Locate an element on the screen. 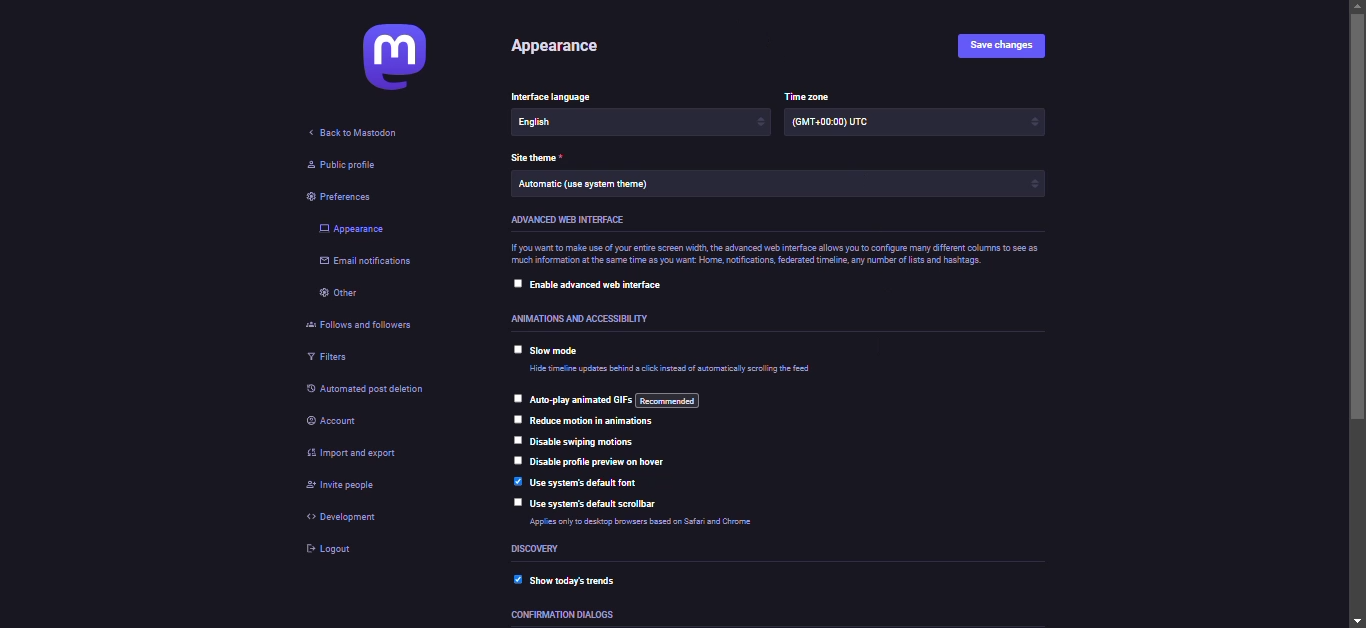 Image resolution: width=1366 pixels, height=628 pixels. invite people is located at coordinates (339, 489).